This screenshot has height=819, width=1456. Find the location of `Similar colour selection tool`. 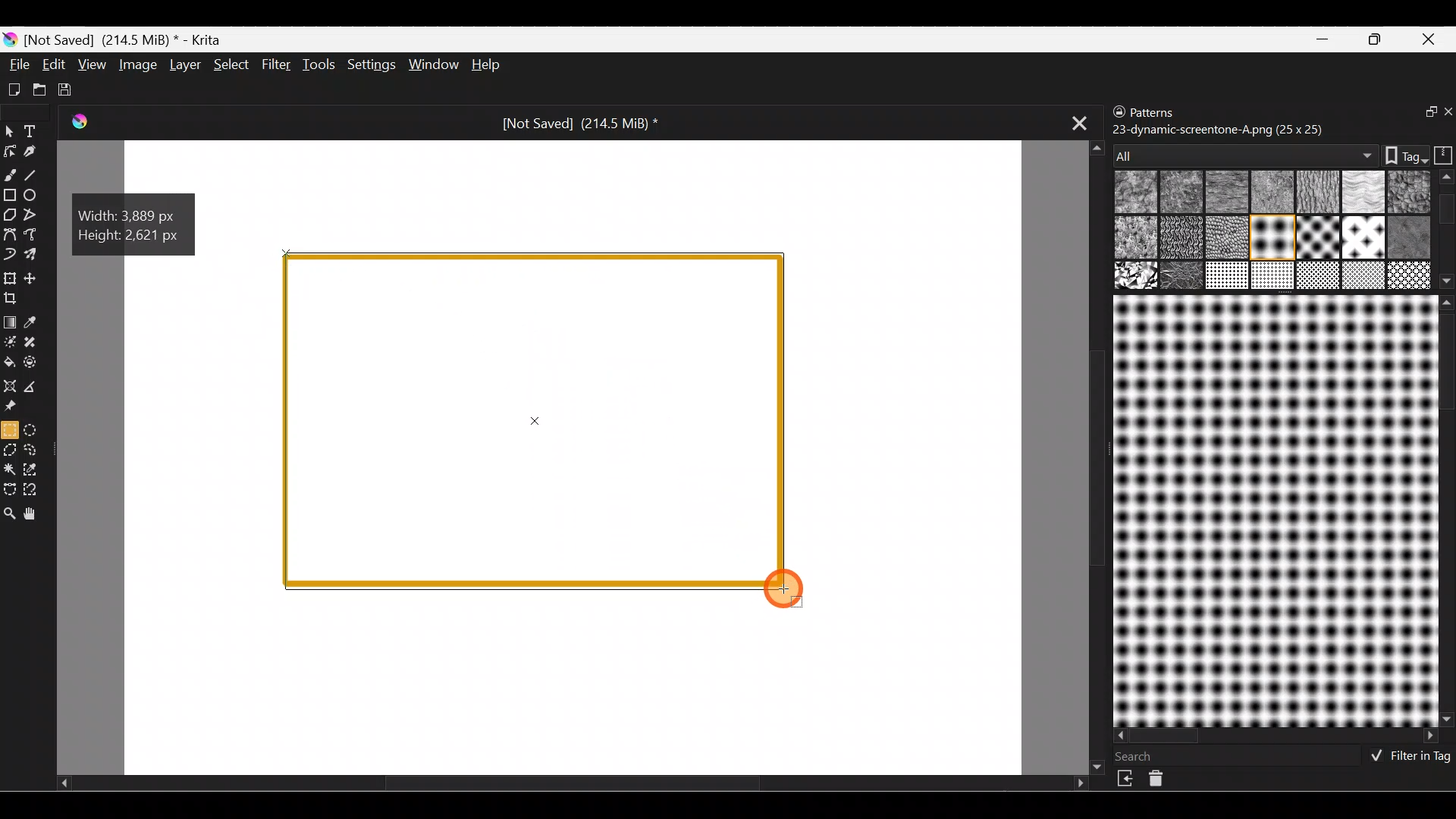

Similar colour selection tool is located at coordinates (36, 472).